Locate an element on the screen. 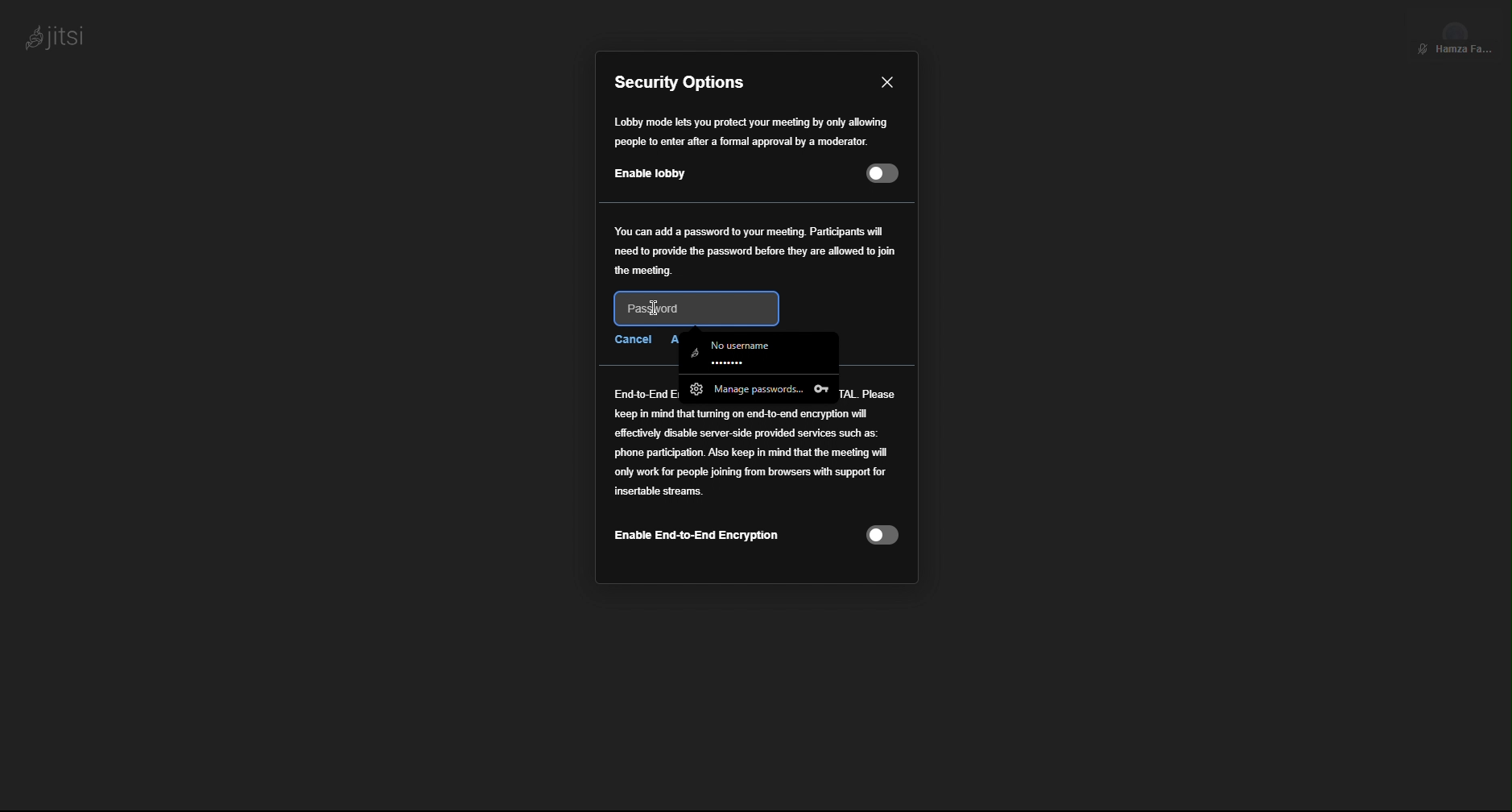 The image size is (1512, 812). Enable Lobby is located at coordinates (751, 148).